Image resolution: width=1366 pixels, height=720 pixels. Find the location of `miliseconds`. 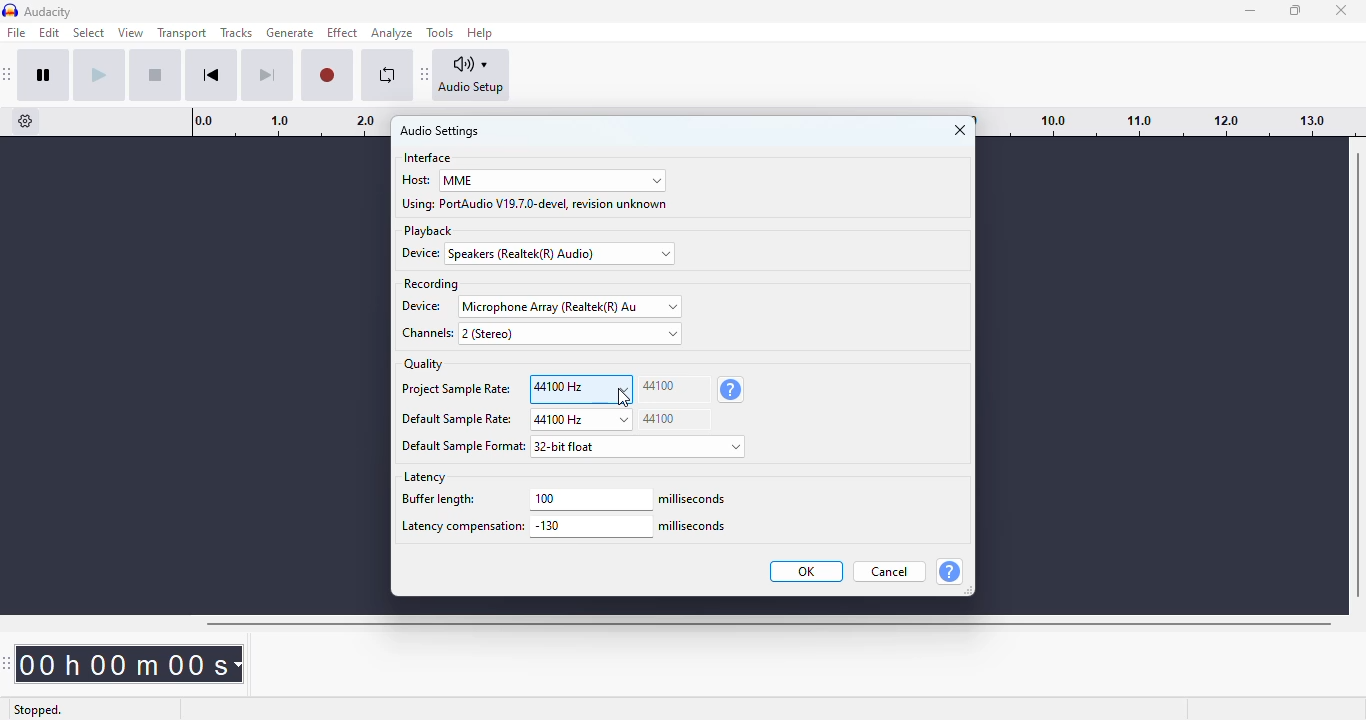

miliseconds is located at coordinates (694, 527).